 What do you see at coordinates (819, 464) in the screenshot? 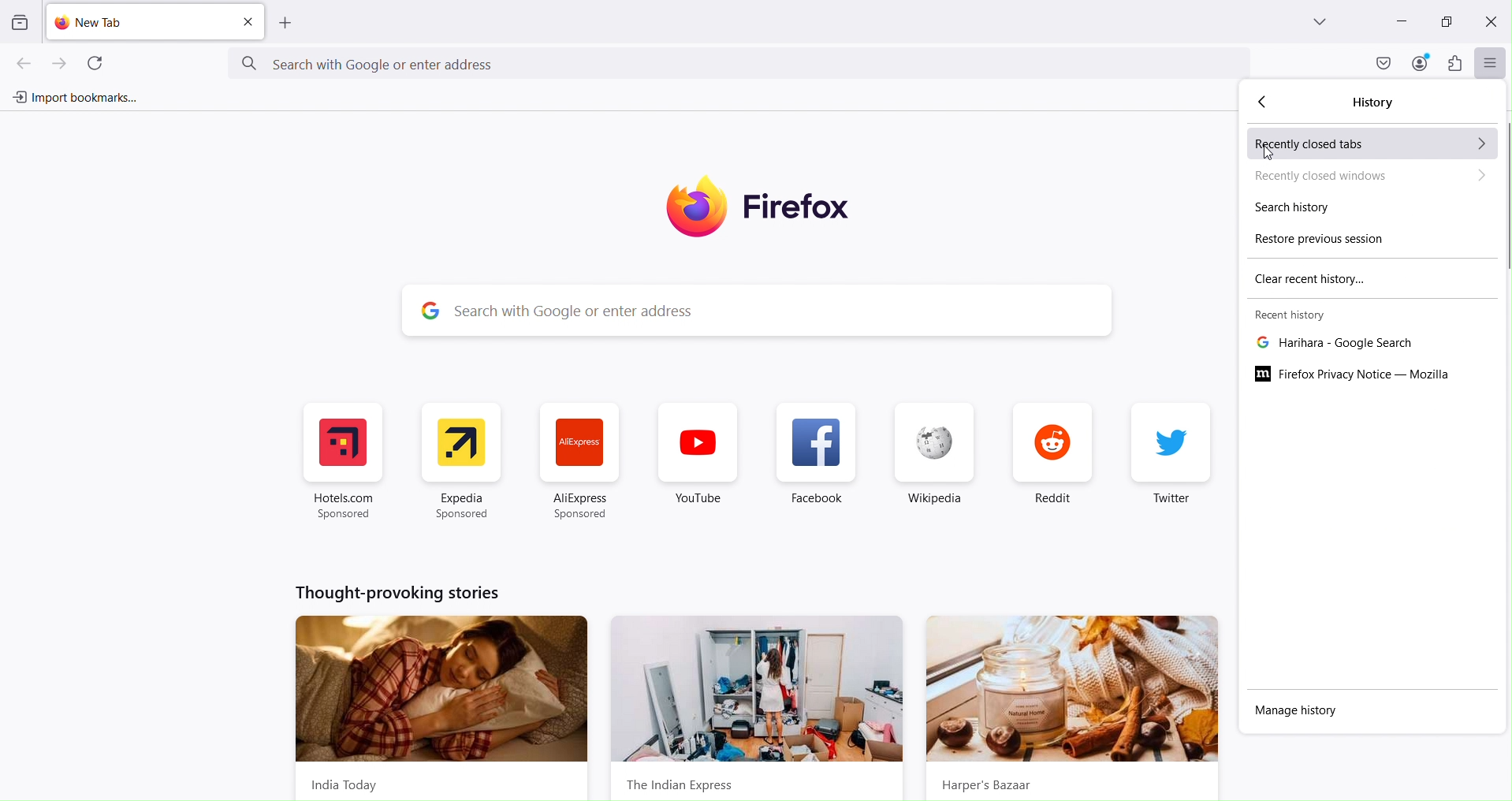
I see `Facebook Shortcut` at bounding box center [819, 464].